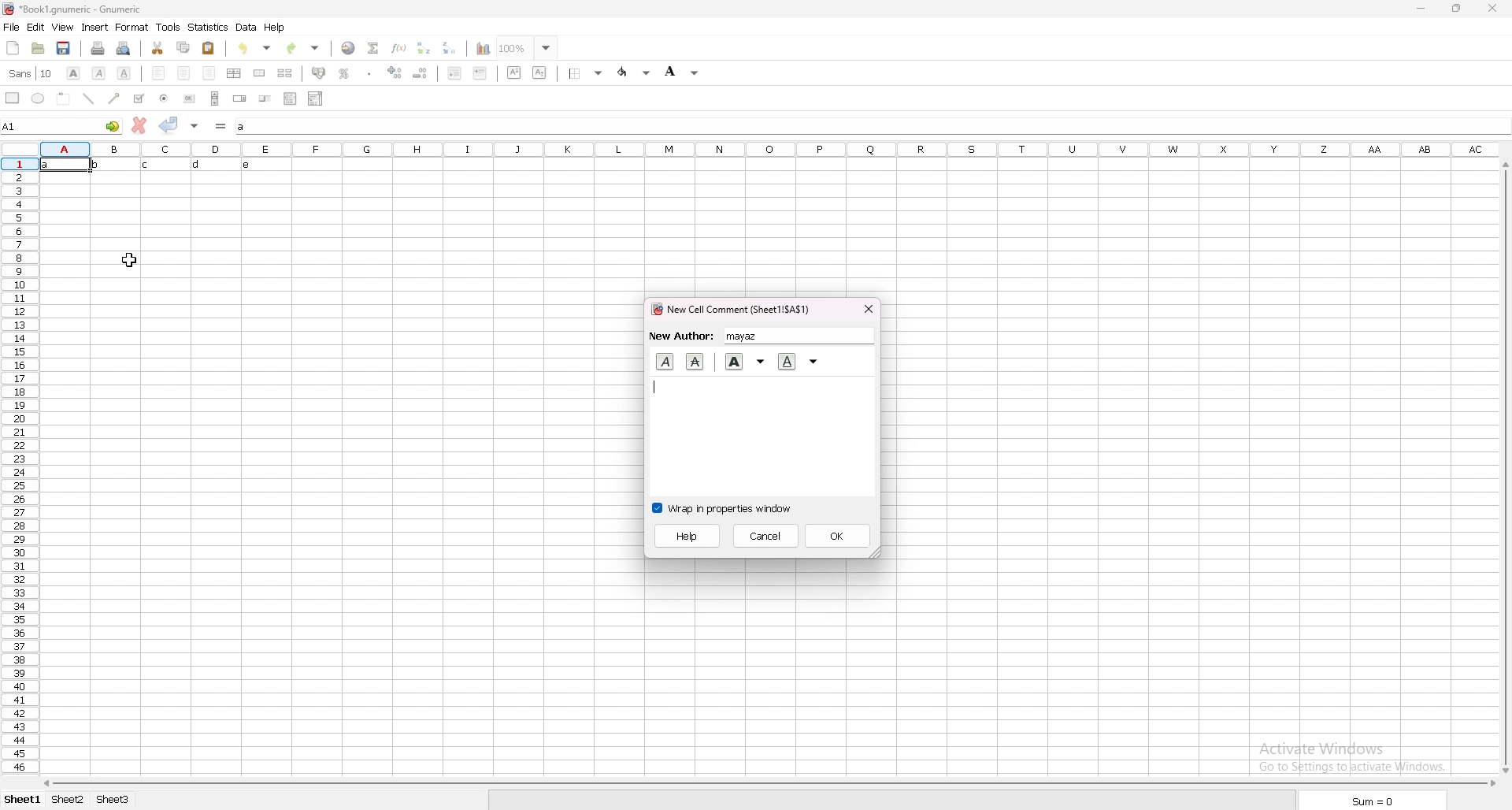 This screenshot has height=810, width=1512. What do you see at coordinates (38, 98) in the screenshot?
I see `ellipse` at bounding box center [38, 98].